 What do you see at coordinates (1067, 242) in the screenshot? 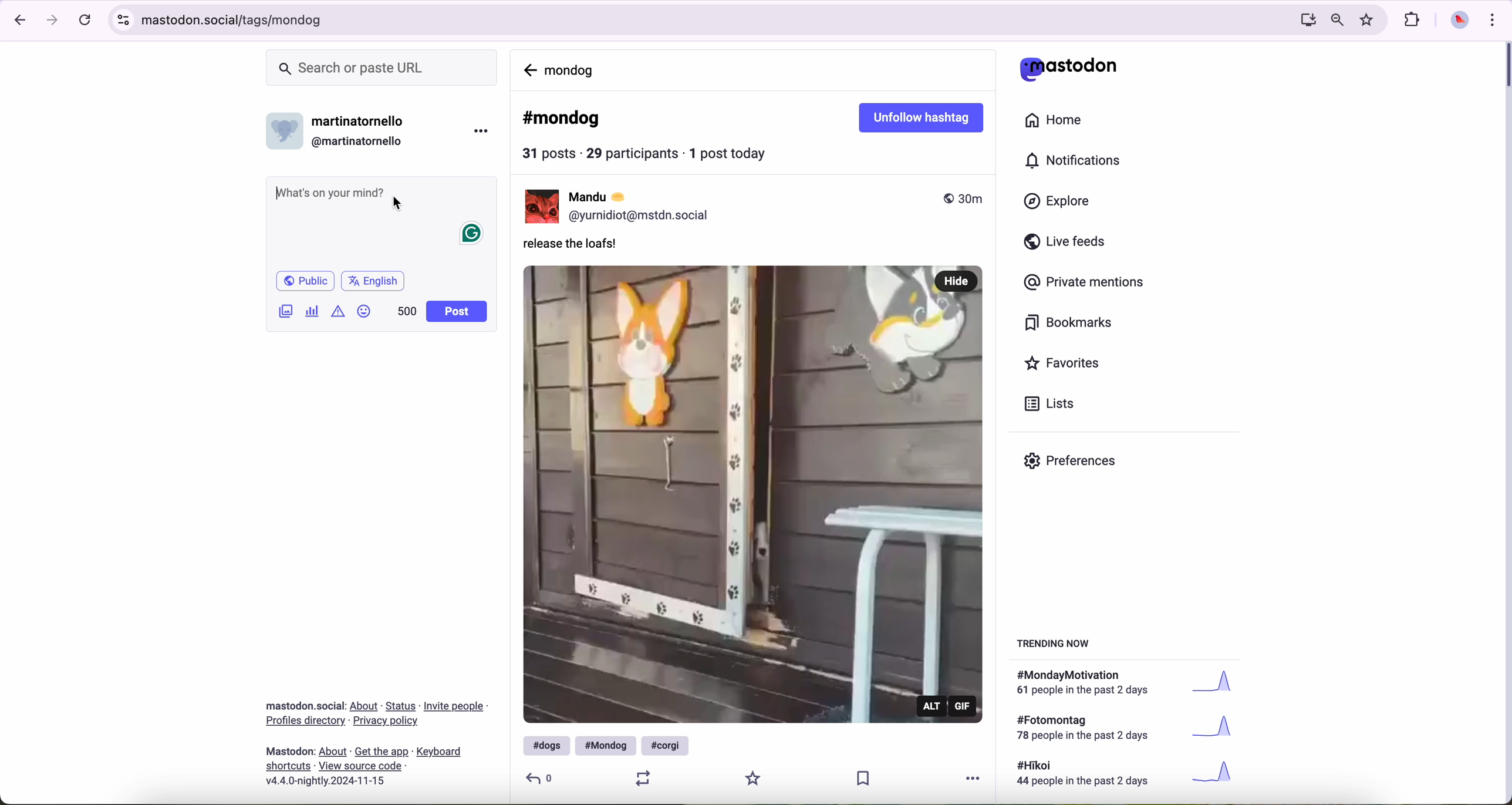
I see `live feeds` at bounding box center [1067, 242].